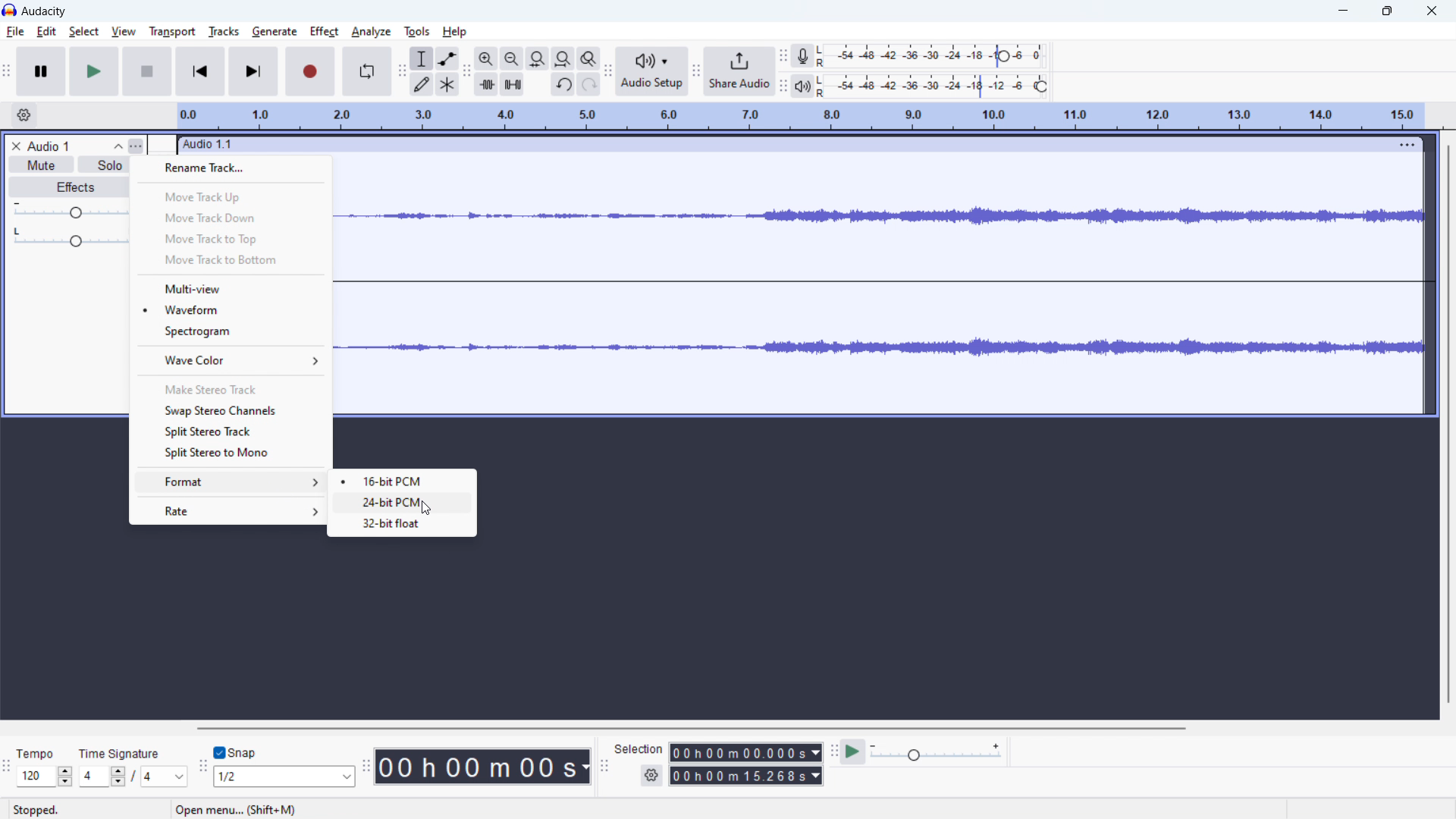 The height and width of the screenshot is (819, 1456). What do you see at coordinates (41, 165) in the screenshot?
I see `mute` at bounding box center [41, 165].